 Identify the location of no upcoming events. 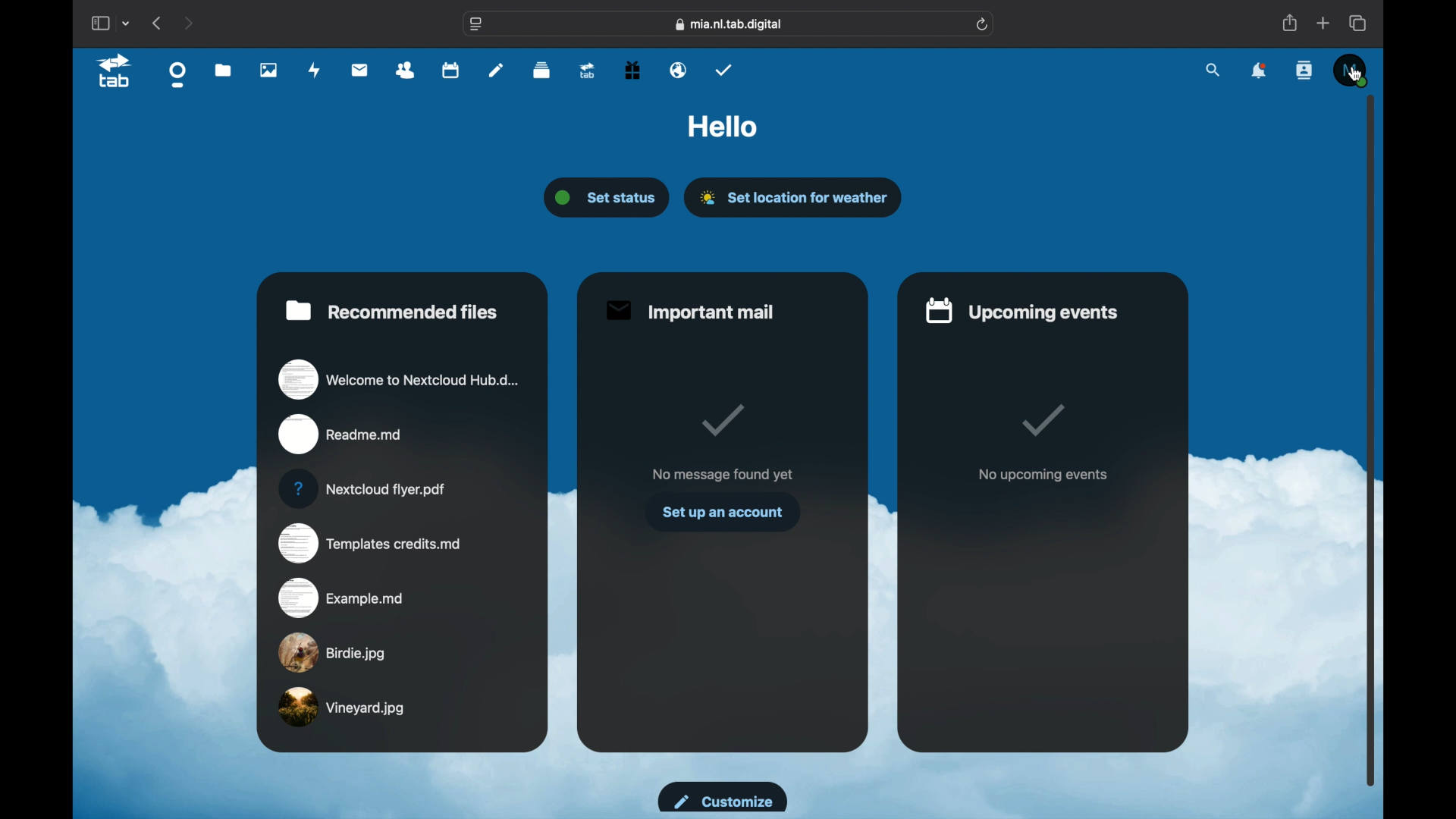
(1043, 475).